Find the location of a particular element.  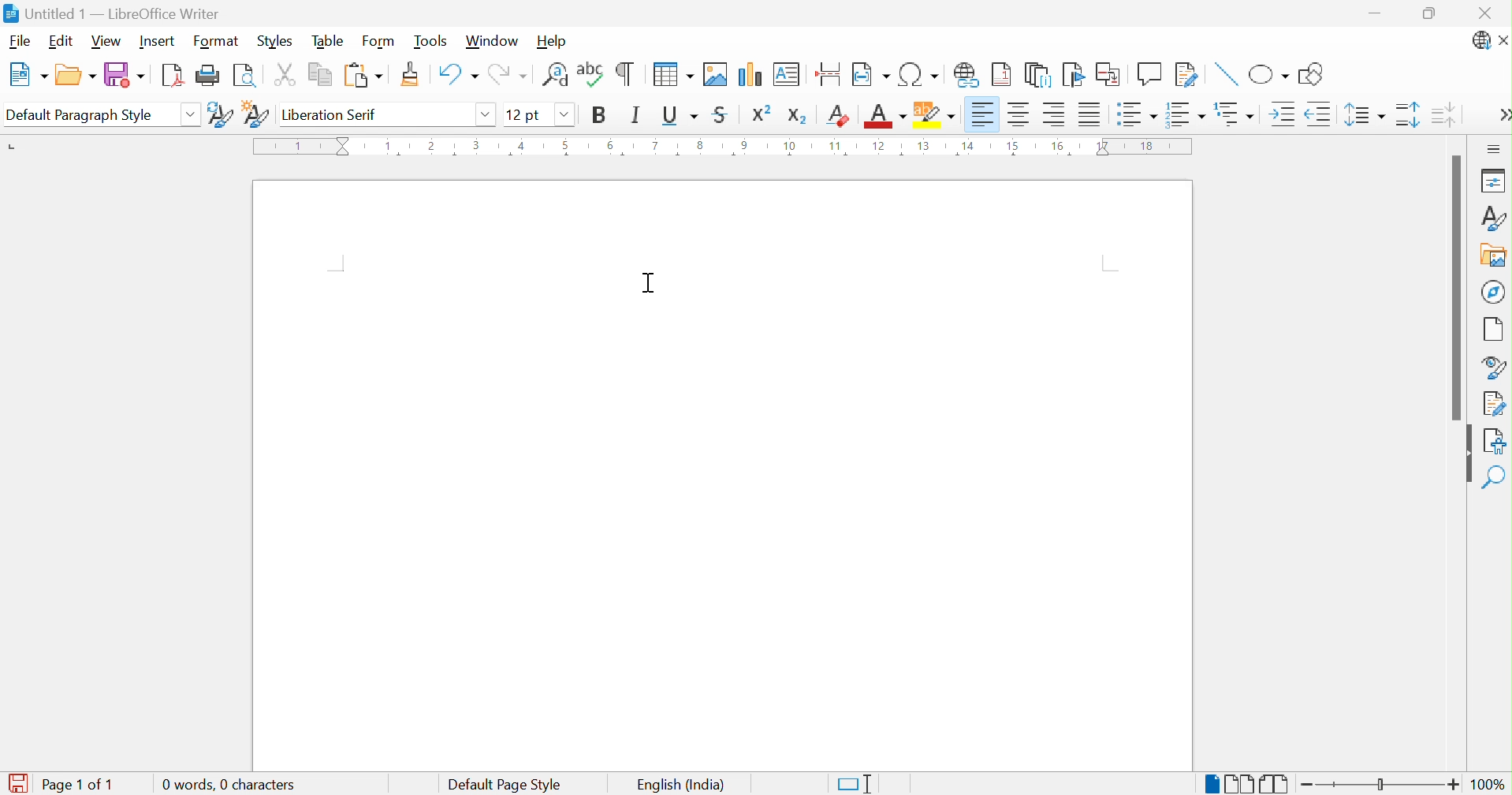

Zoom out is located at coordinates (1307, 788).